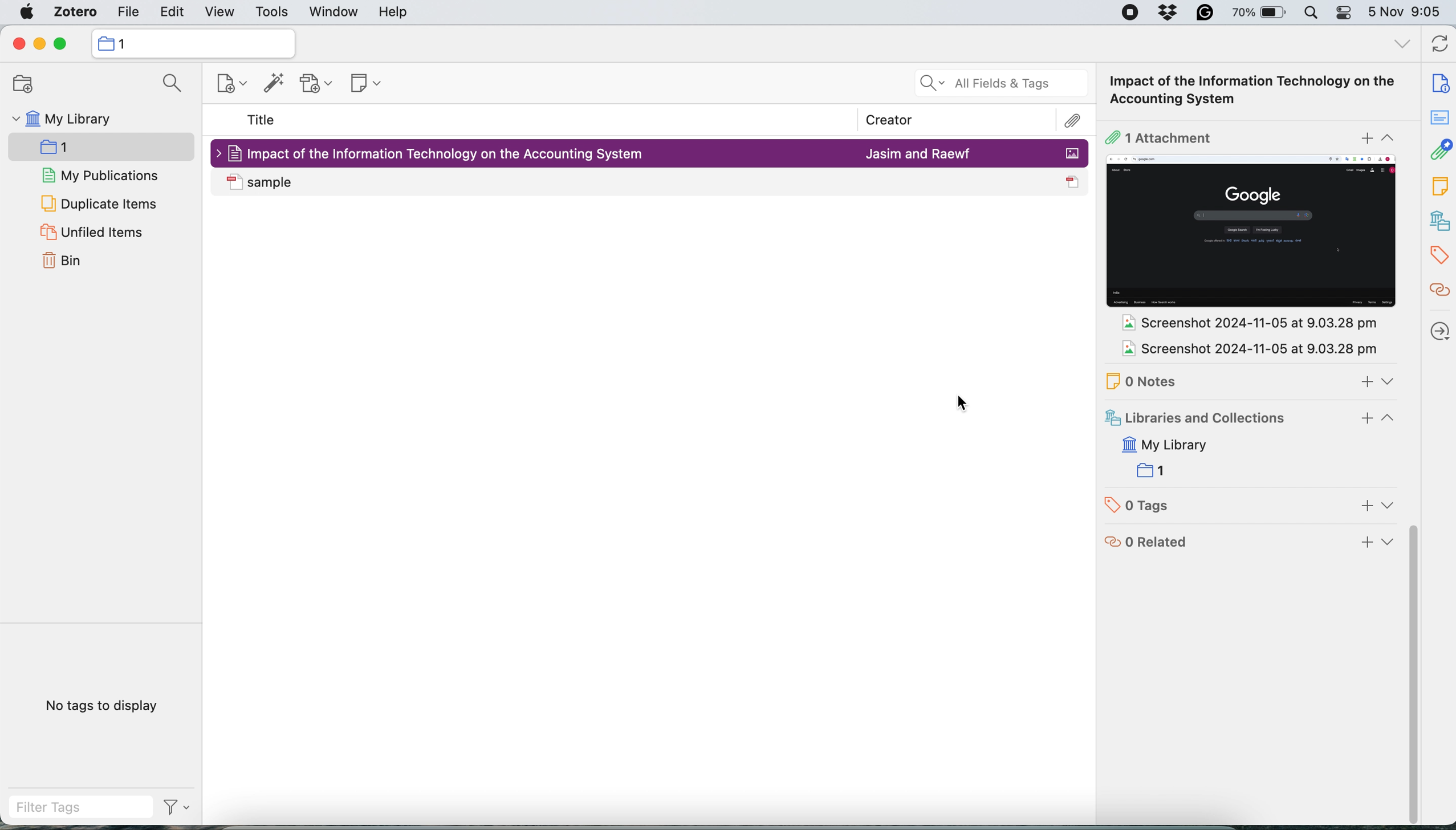 The image size is (1456, 830). What do you see at coordinates (67, 262) in the screenshot?
I see `bin` at bounding box center [67, 262].